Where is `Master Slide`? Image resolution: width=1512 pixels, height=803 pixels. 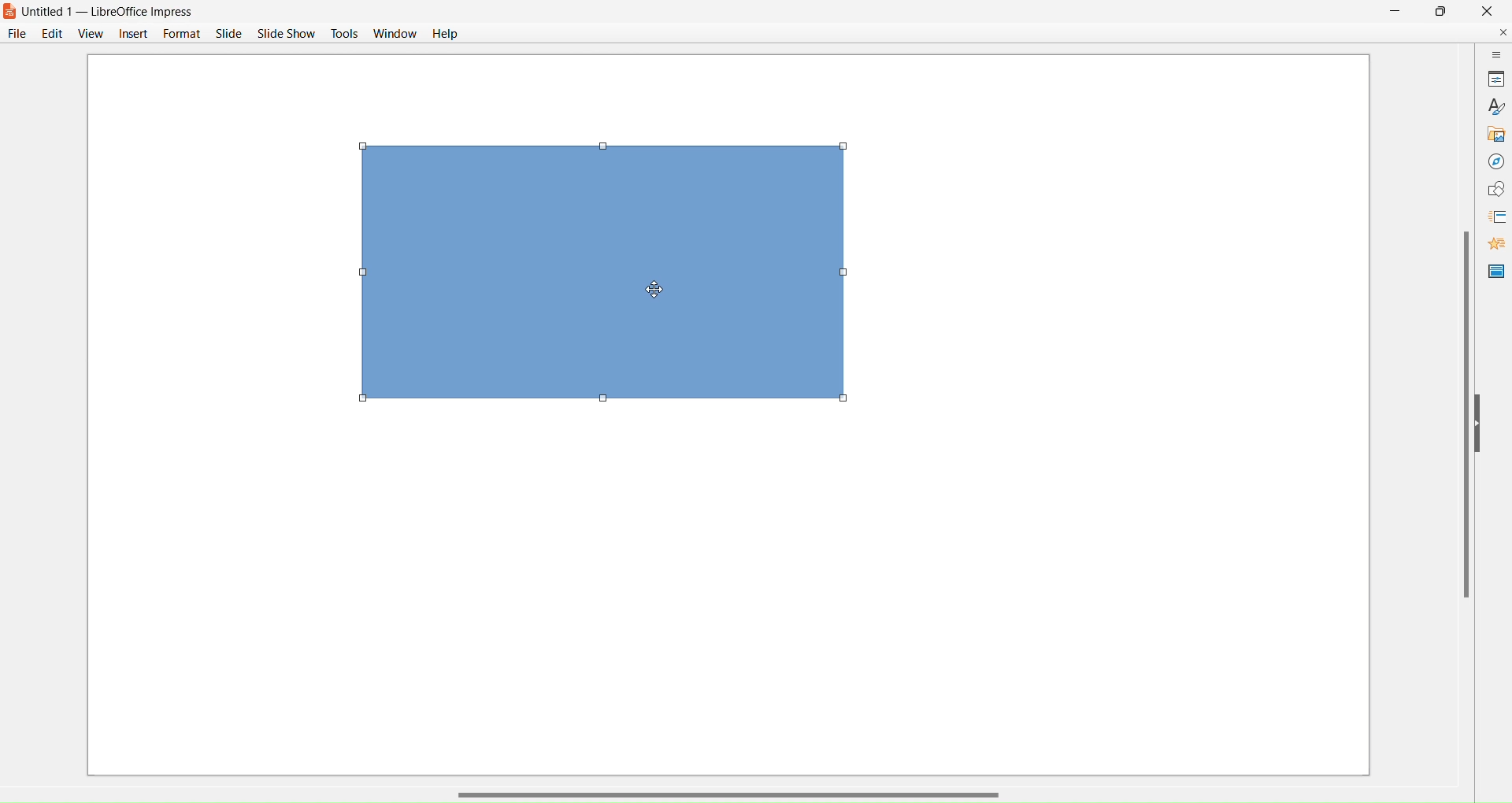 Master Slide is located at coordinates (1497, 271).